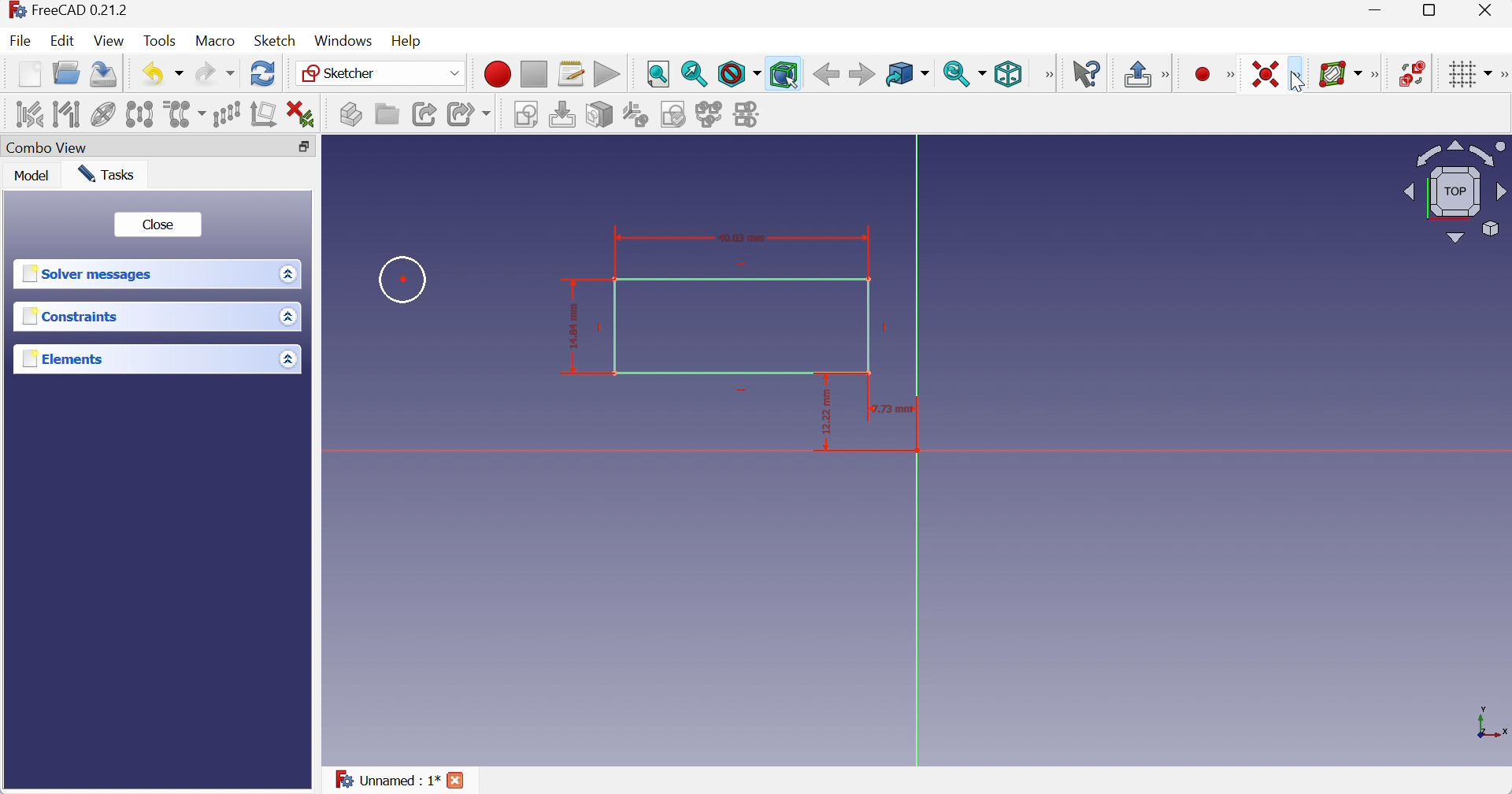  I want to click on New, so click(30, 76).